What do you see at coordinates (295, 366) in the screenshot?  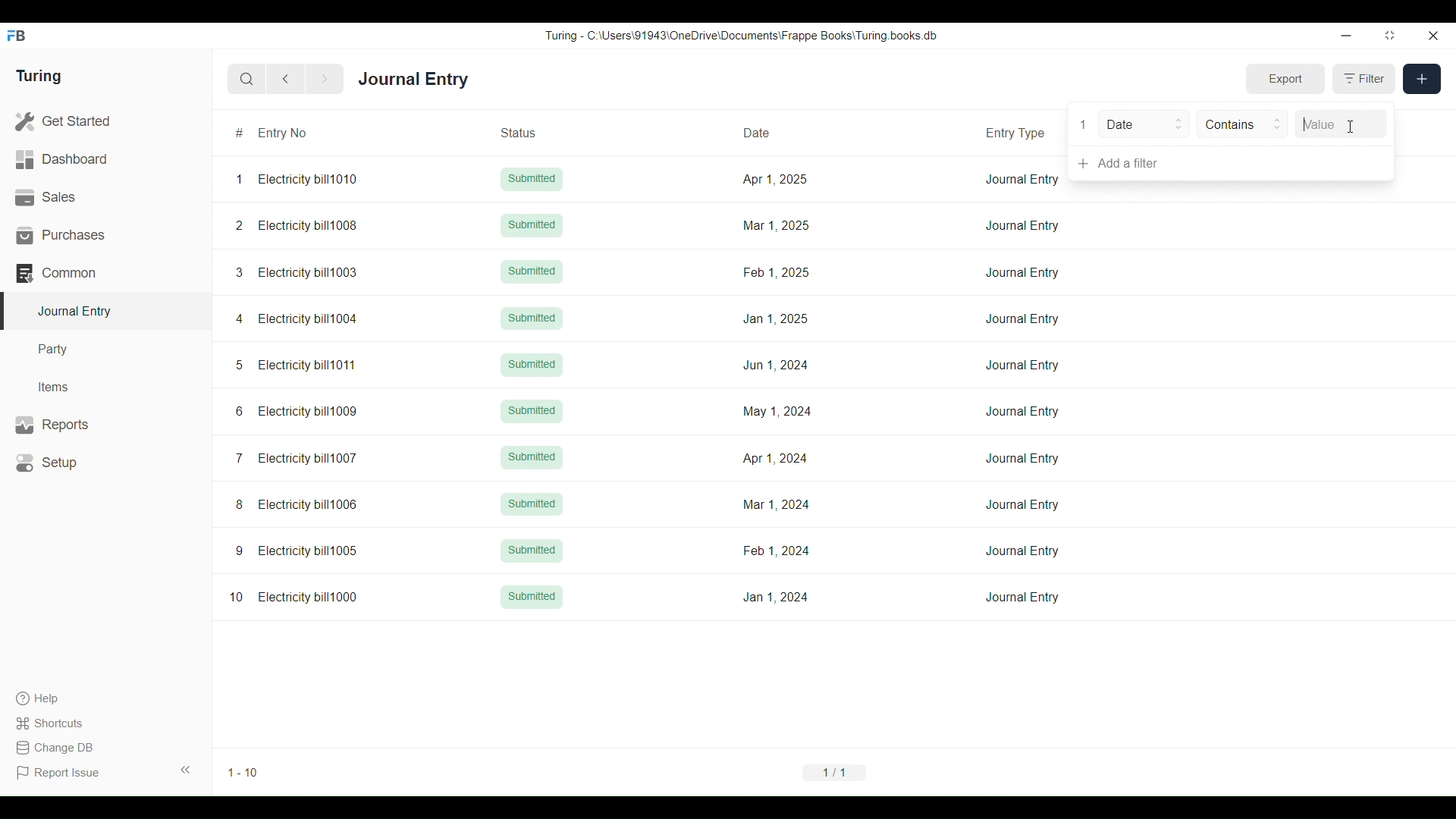 I see `5 Electricity bill1011` at bounding box center [295, 366].